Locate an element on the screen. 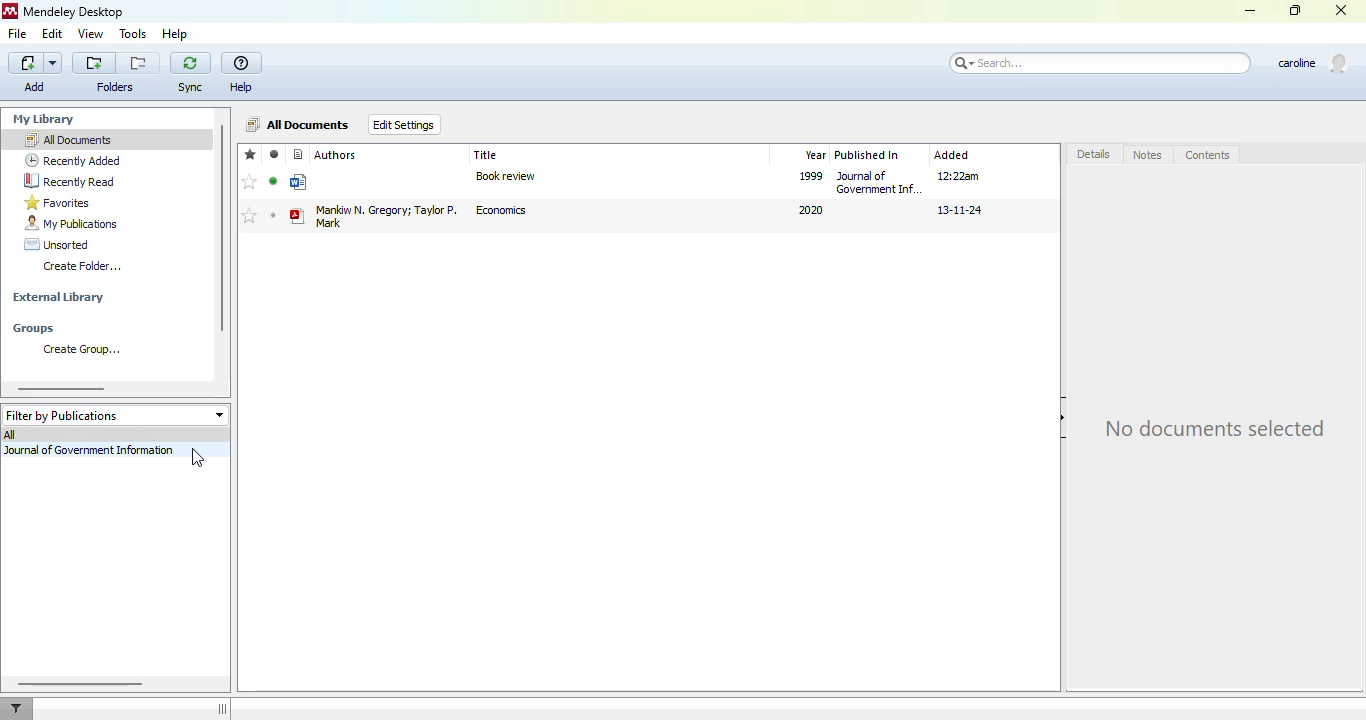 The width and height of the screenshot is (1366, 720). all is located at coordinates (10, 434).